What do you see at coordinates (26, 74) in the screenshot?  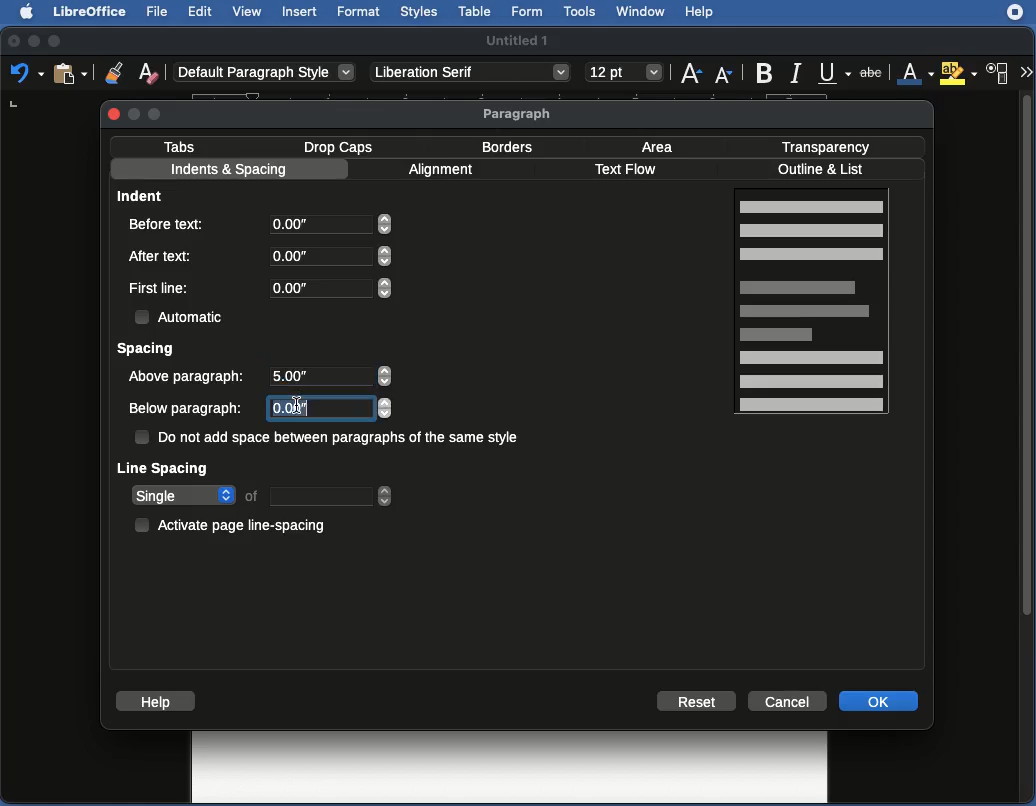 I see `Undo` at bounding box center [26, 74].